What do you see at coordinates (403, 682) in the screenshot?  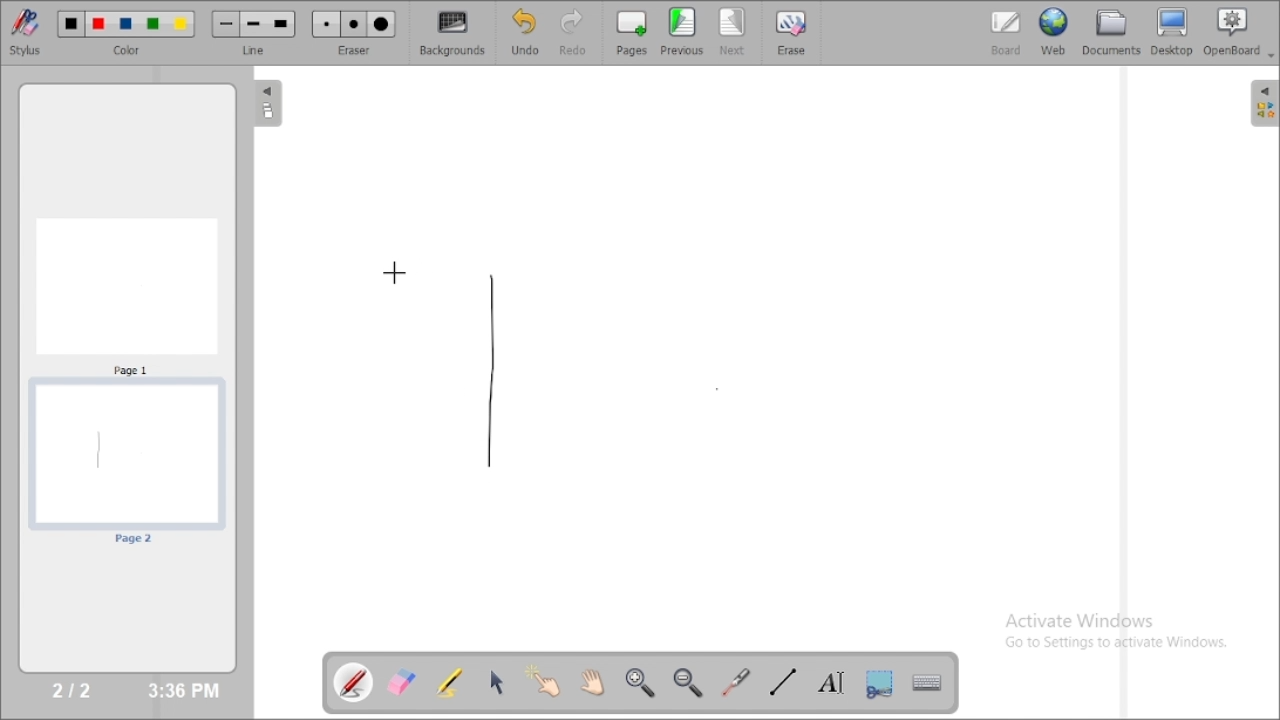 I see `erase annotation` at bounding box center [403, 682].